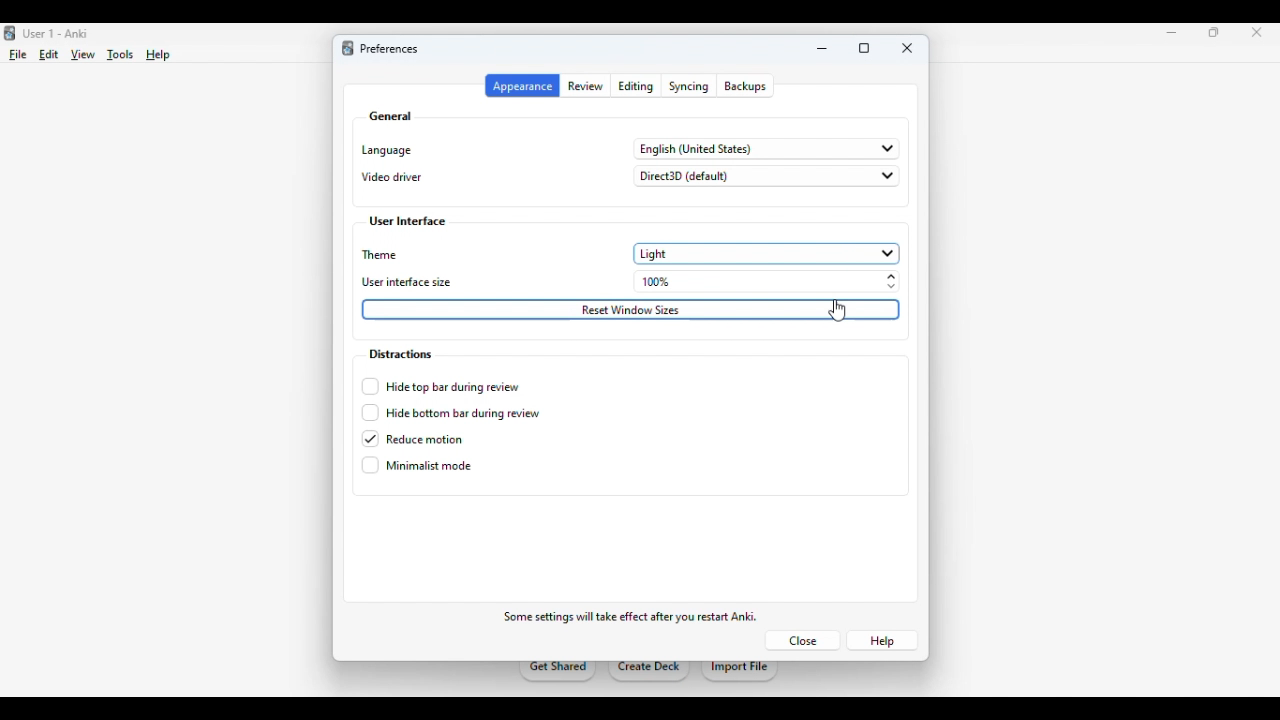 The height and width of the screenshot is (720, 1280). I want to click on close, so click(802, 640).